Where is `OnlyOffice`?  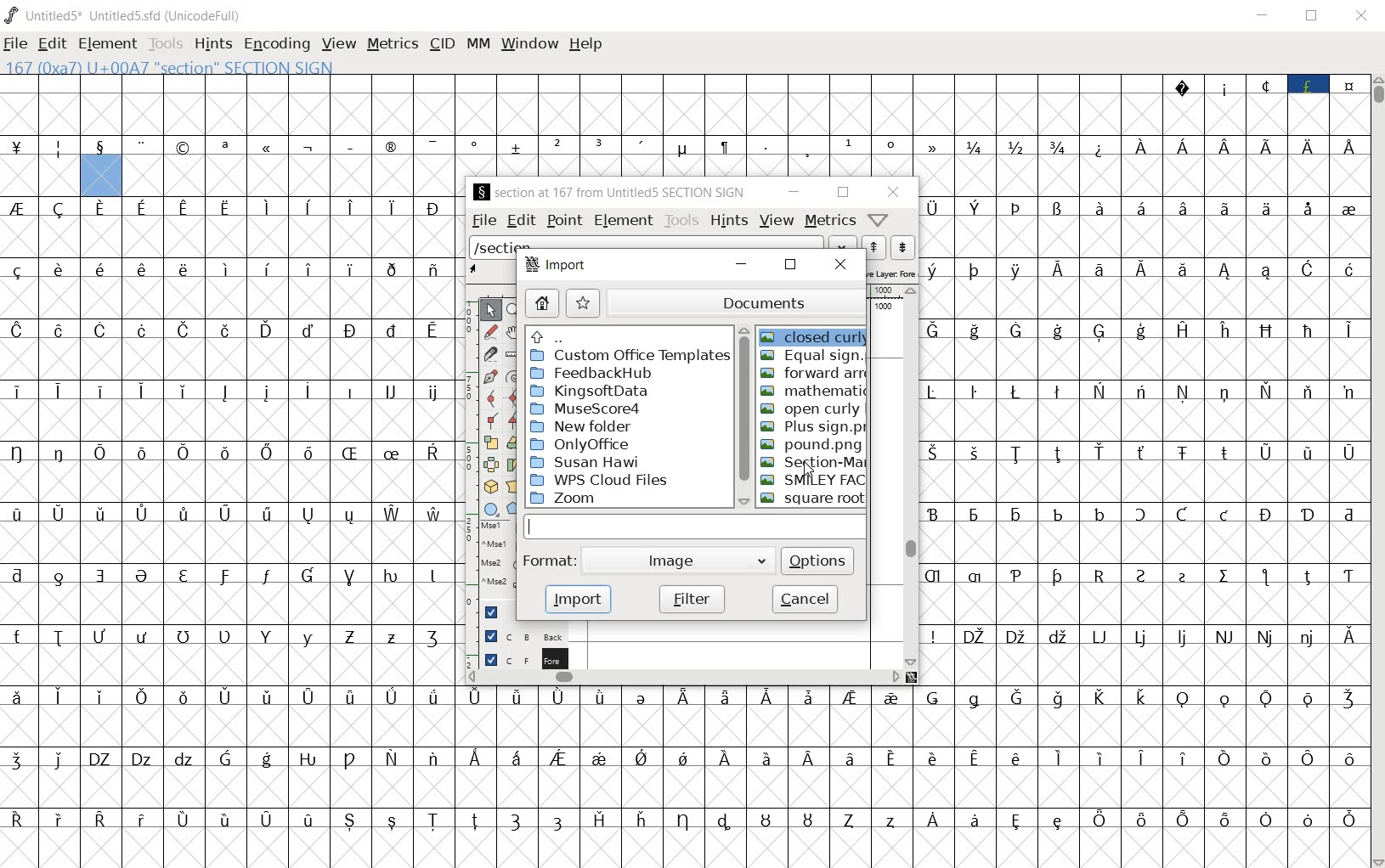 OnlyOffice is located at coordinates (583, 444).